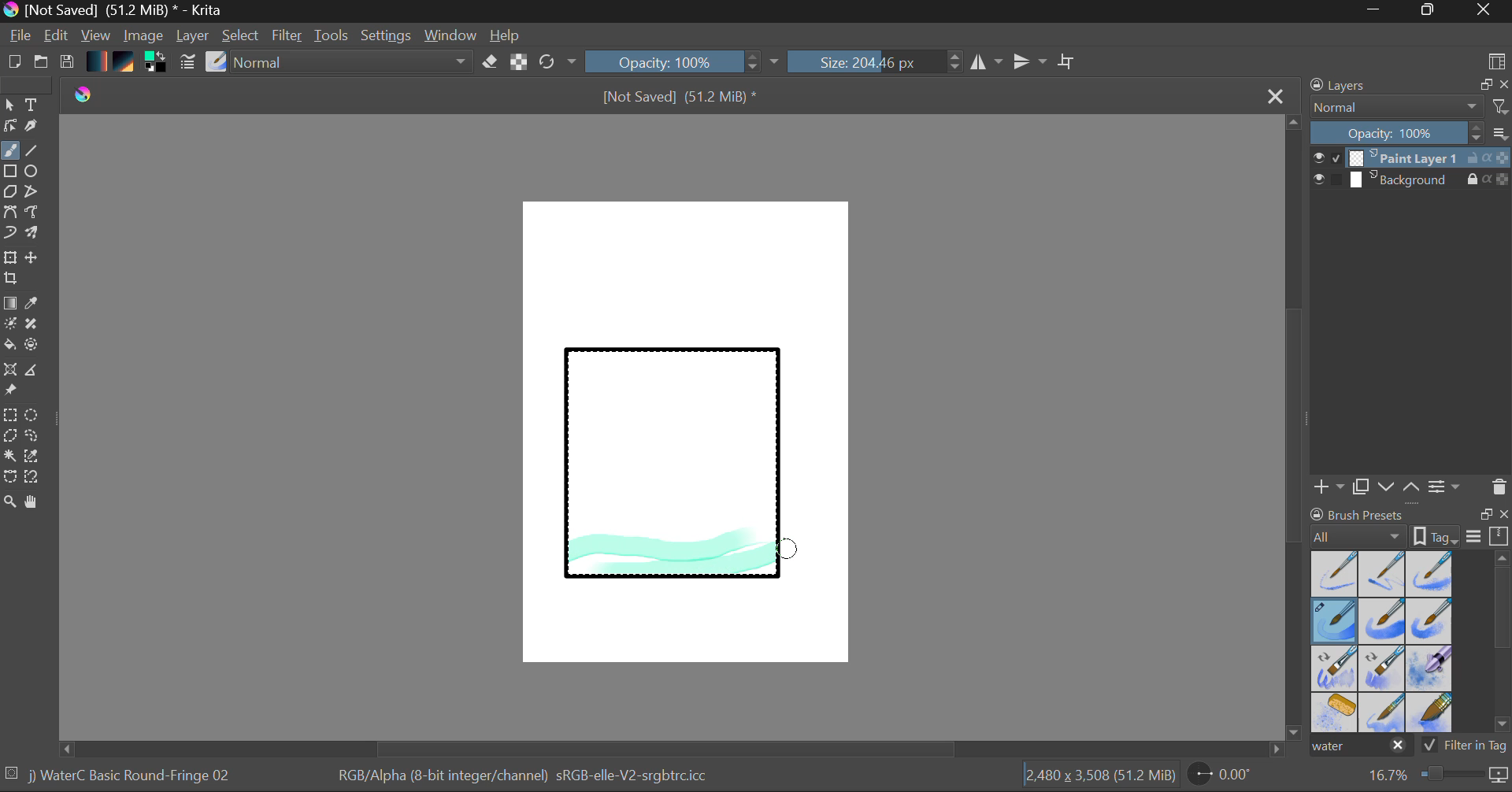 The width and height of the screenshot is (1512, 792). What do you see at coordinates (1382, 667) in the screenshot?
I see `Water C - Decay Tilt` at bounding box center [1382, 667].